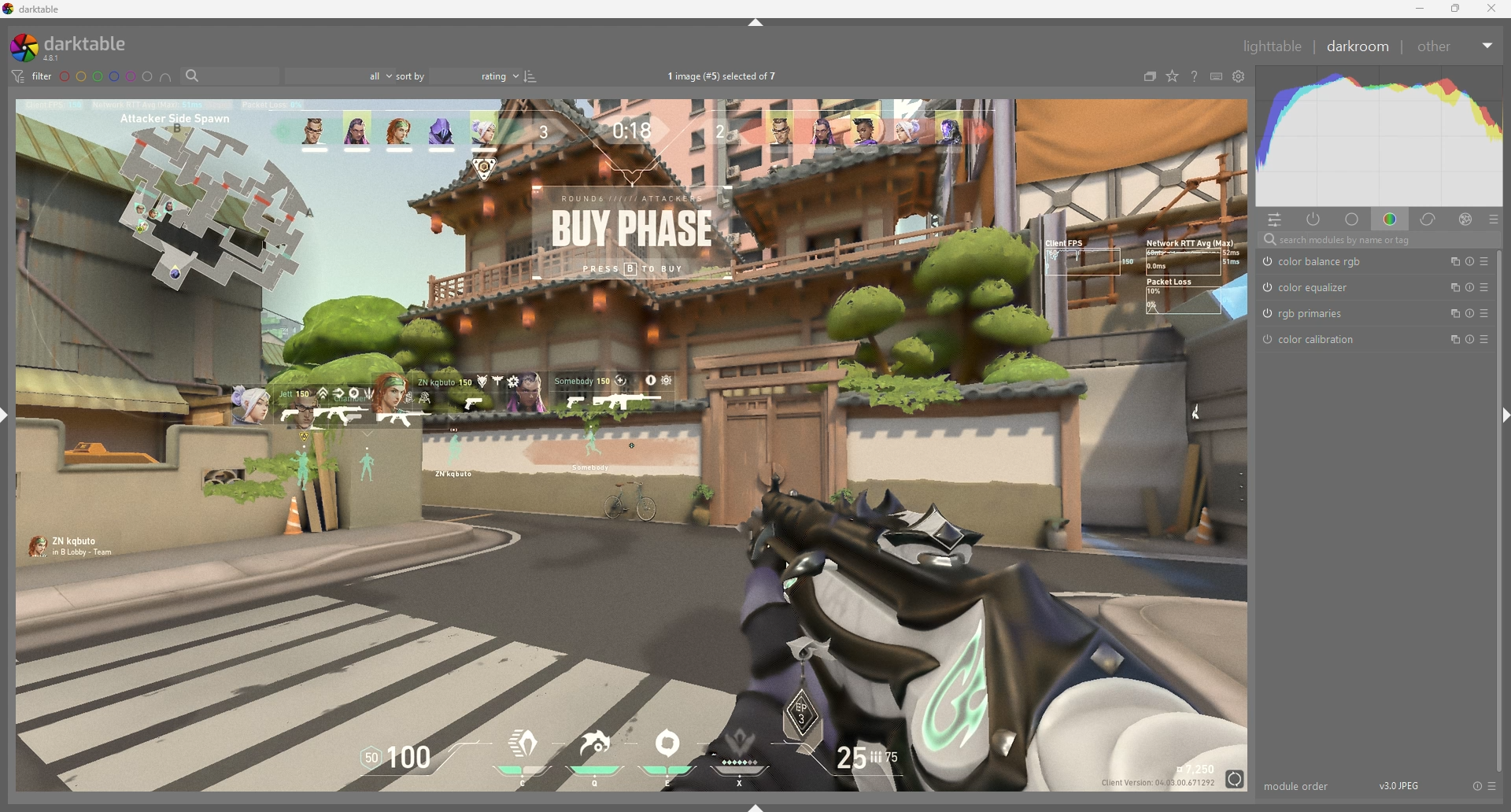 Image resolution: width=1511 pixels, height=812 pixels. What do you see at coordinates (1450, 262) in the screenshot?
I see `multiple instances action` at bounding box center [1450, 262].